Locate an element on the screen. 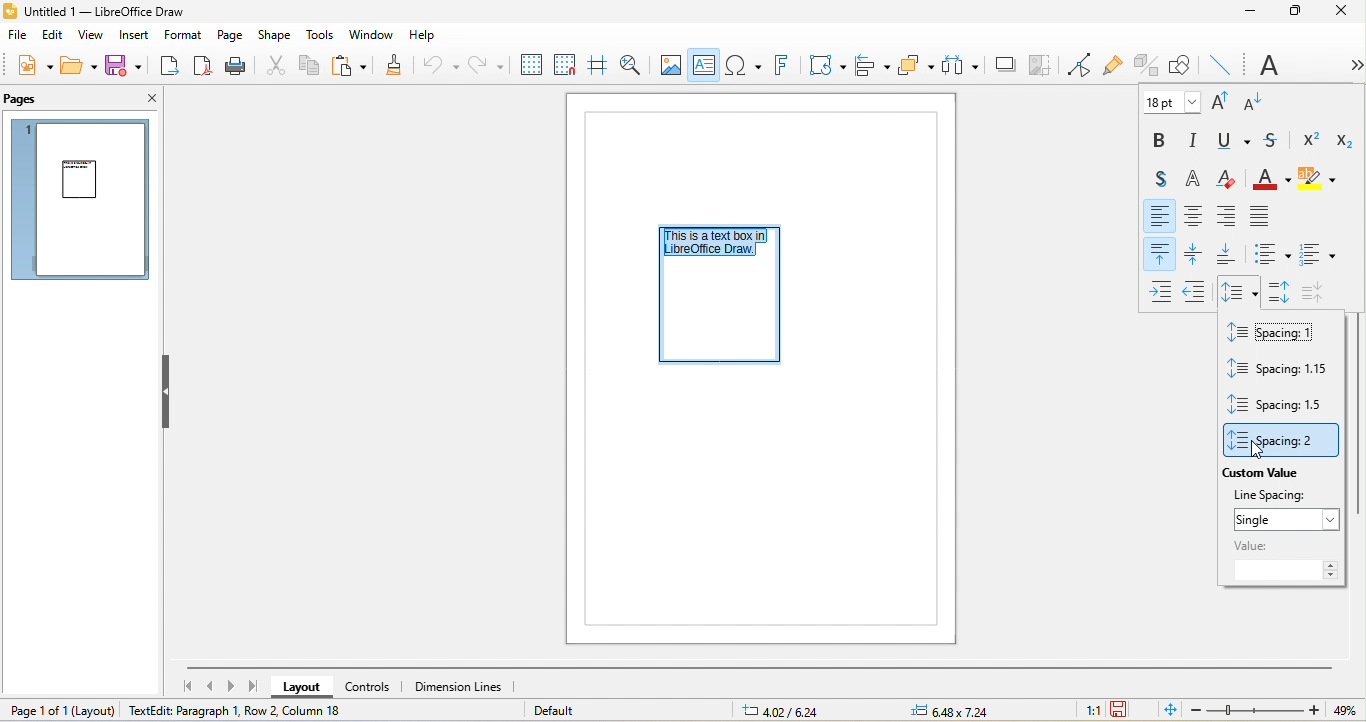 The width and height of the screenshot is (1366, 722). more option is located at coordinates (1347, 65).